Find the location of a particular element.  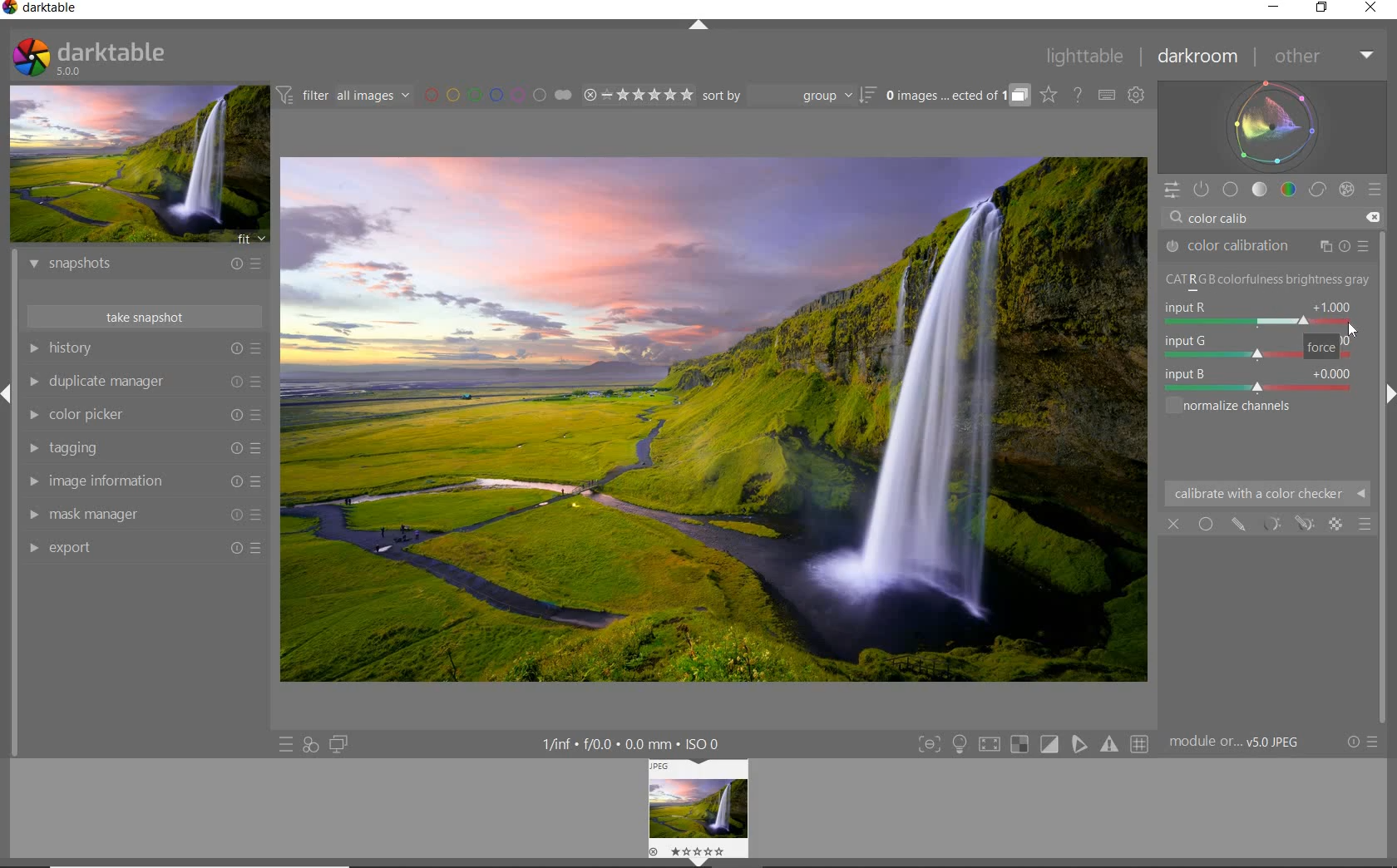

color picker is located at coordinates (143, 415).